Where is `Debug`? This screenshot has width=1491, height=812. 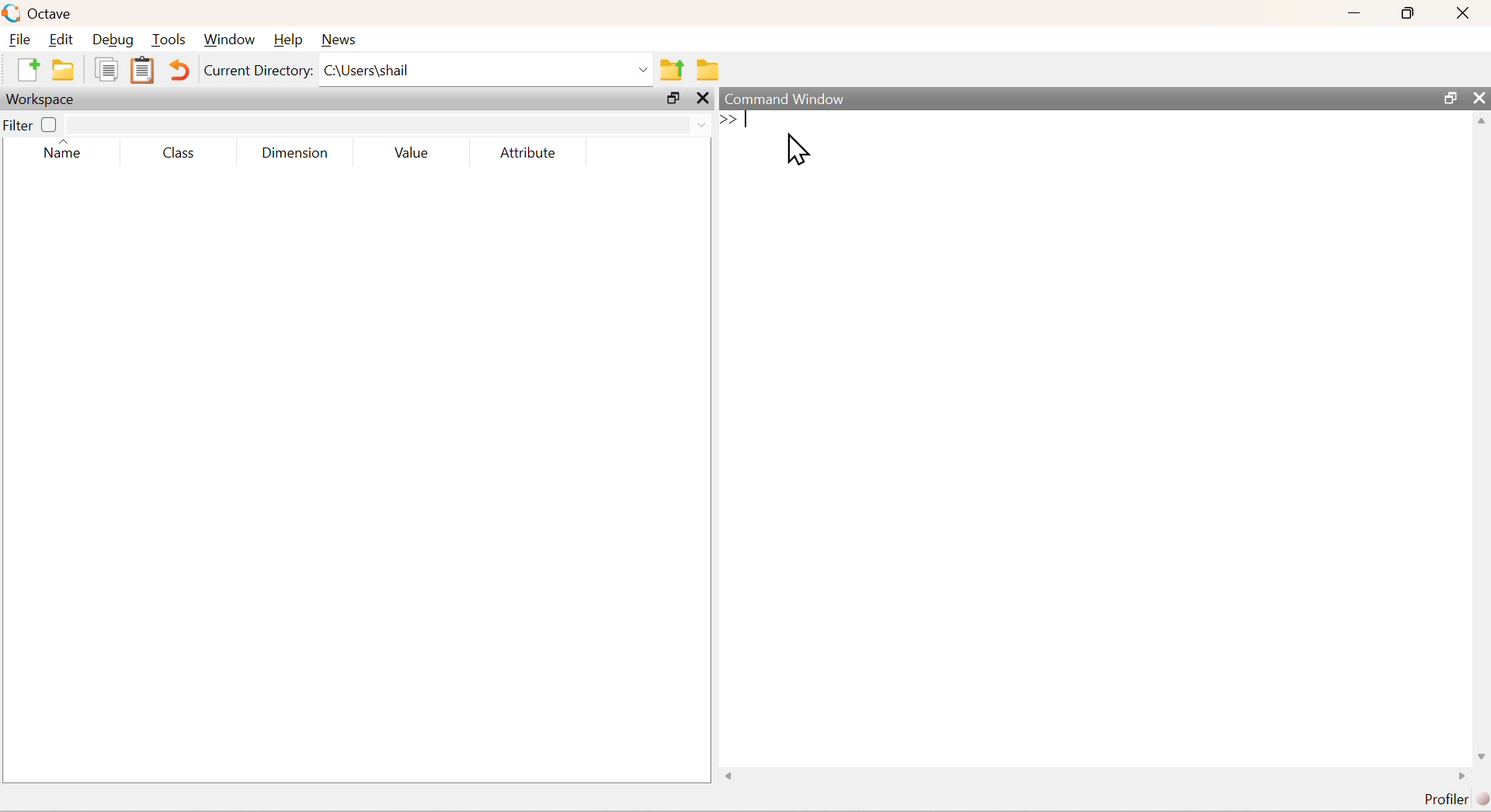
Debug is located at coordinates (114, 42).